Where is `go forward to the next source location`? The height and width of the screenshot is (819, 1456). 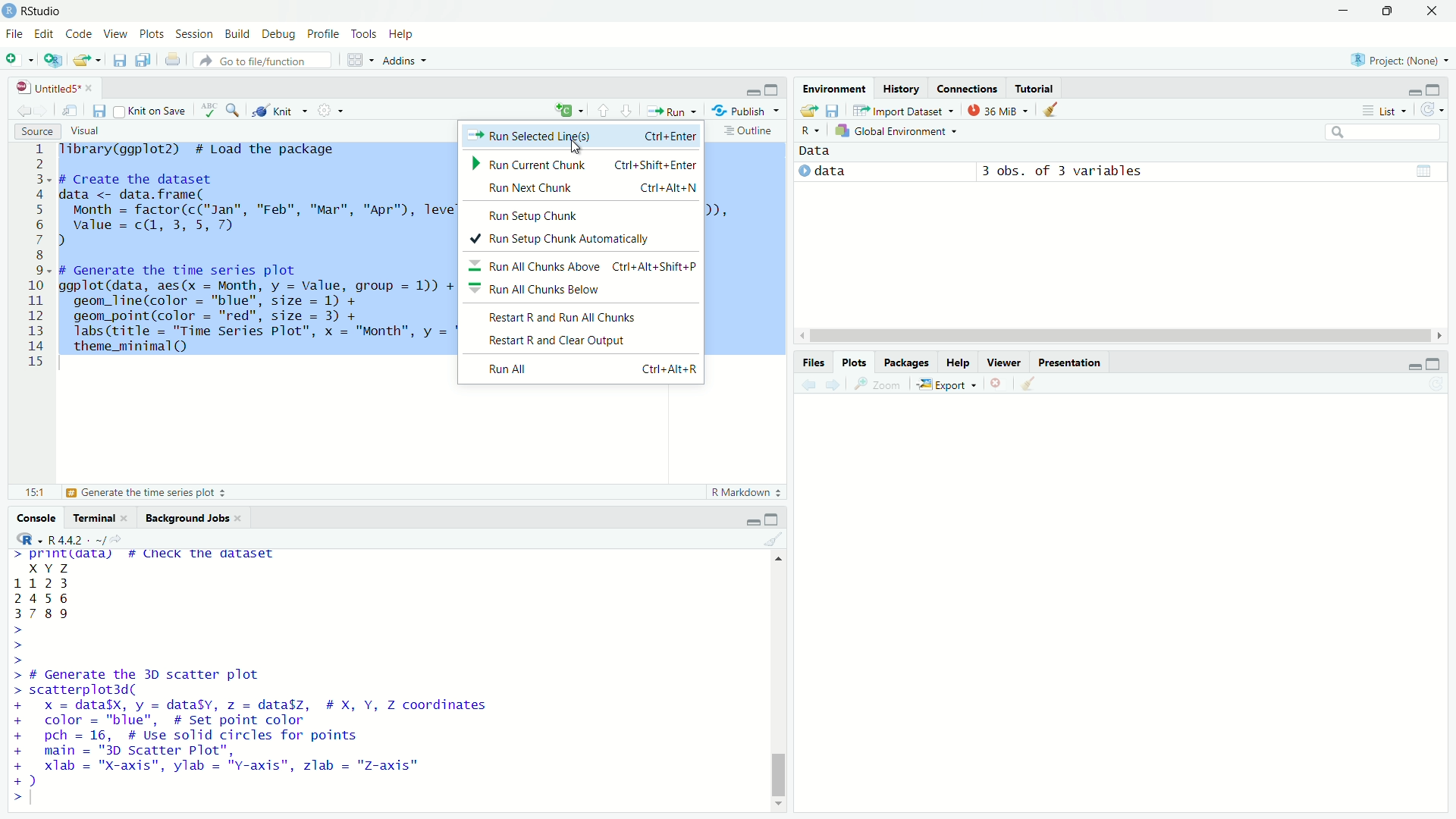 go forward to the next source location is located at coordinates (47, 111).